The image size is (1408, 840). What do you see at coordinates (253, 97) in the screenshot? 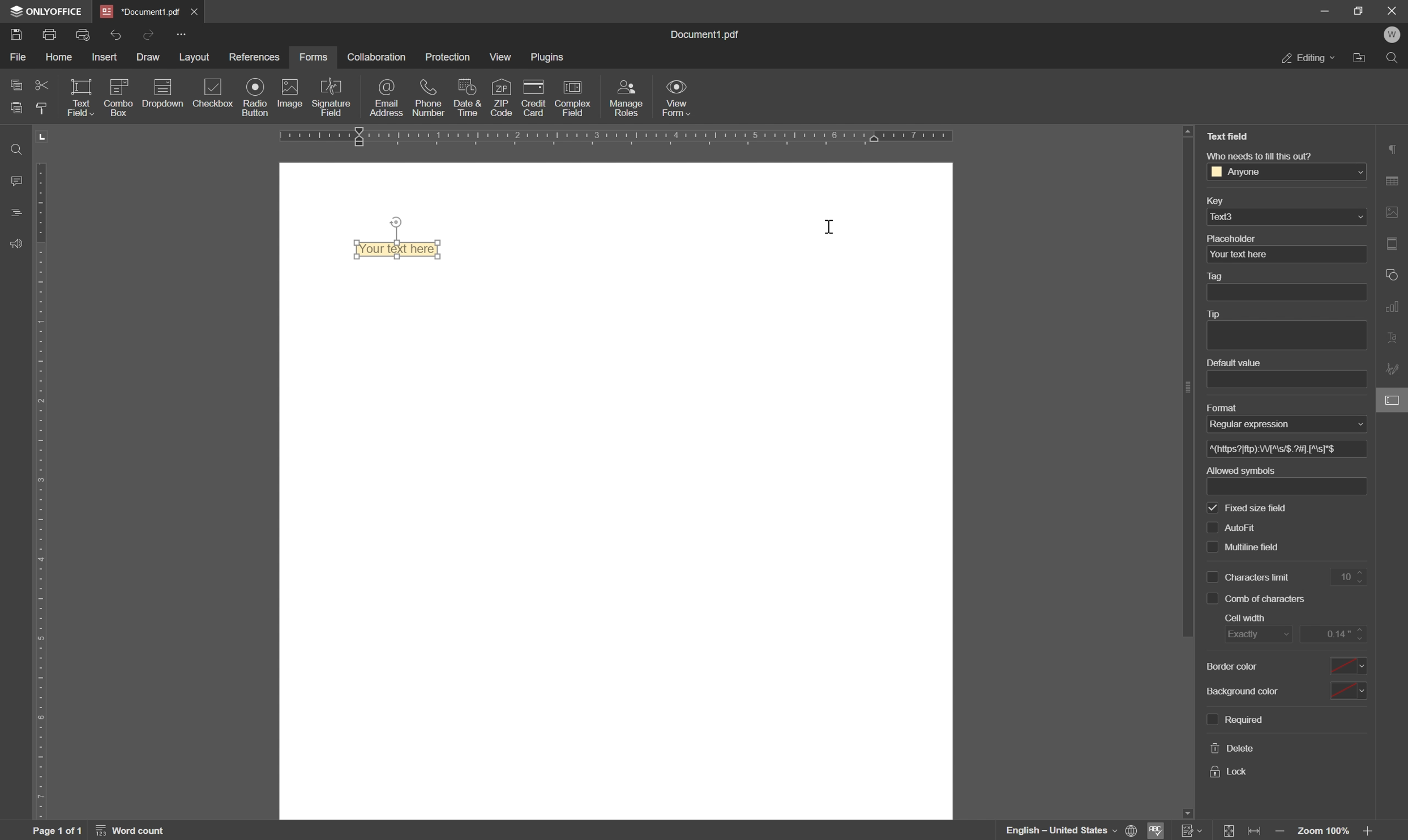
I see `radio button` at bounding box center [253, 97].